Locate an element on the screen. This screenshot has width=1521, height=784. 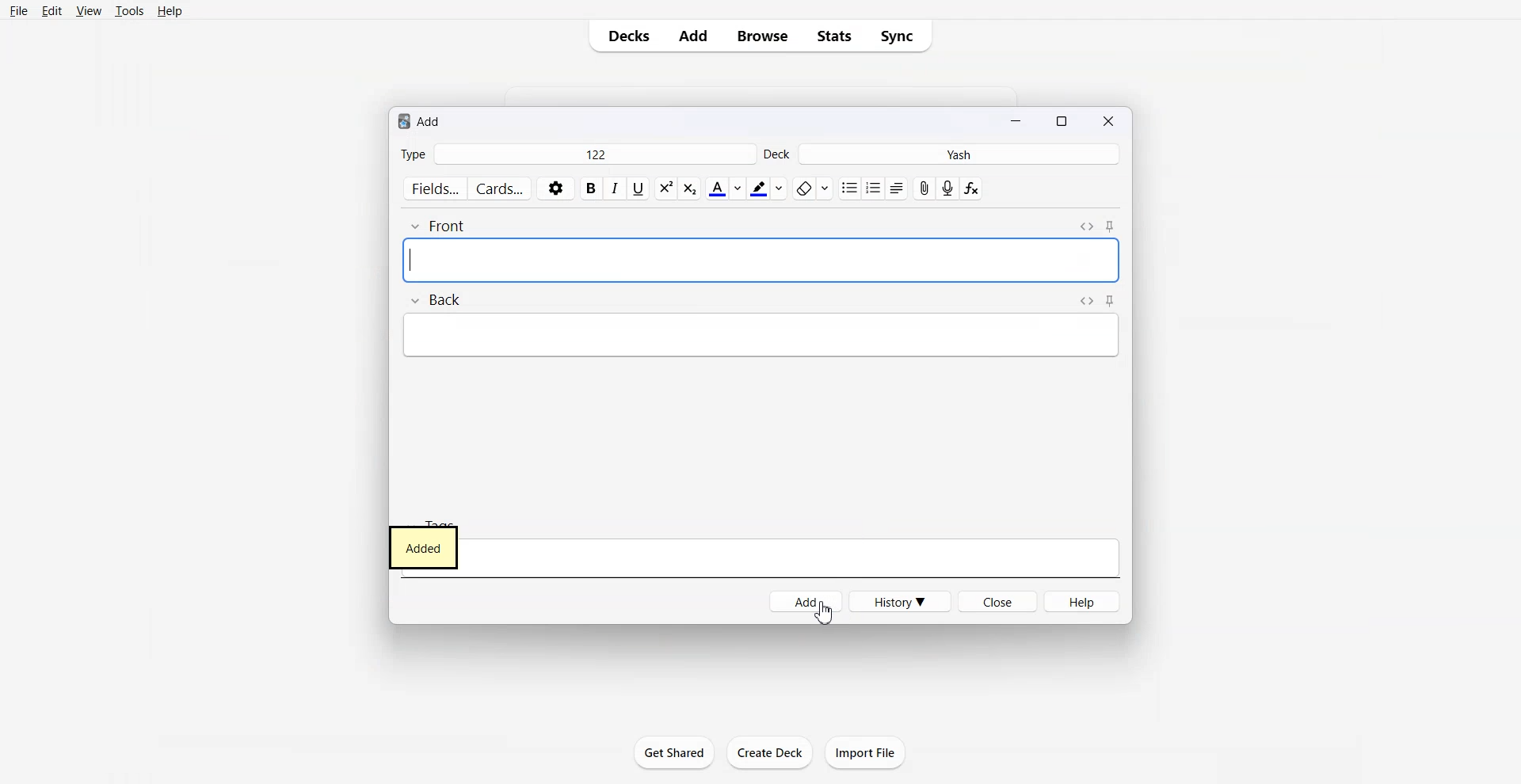
Record Audio is located at coordinates (948, 188).